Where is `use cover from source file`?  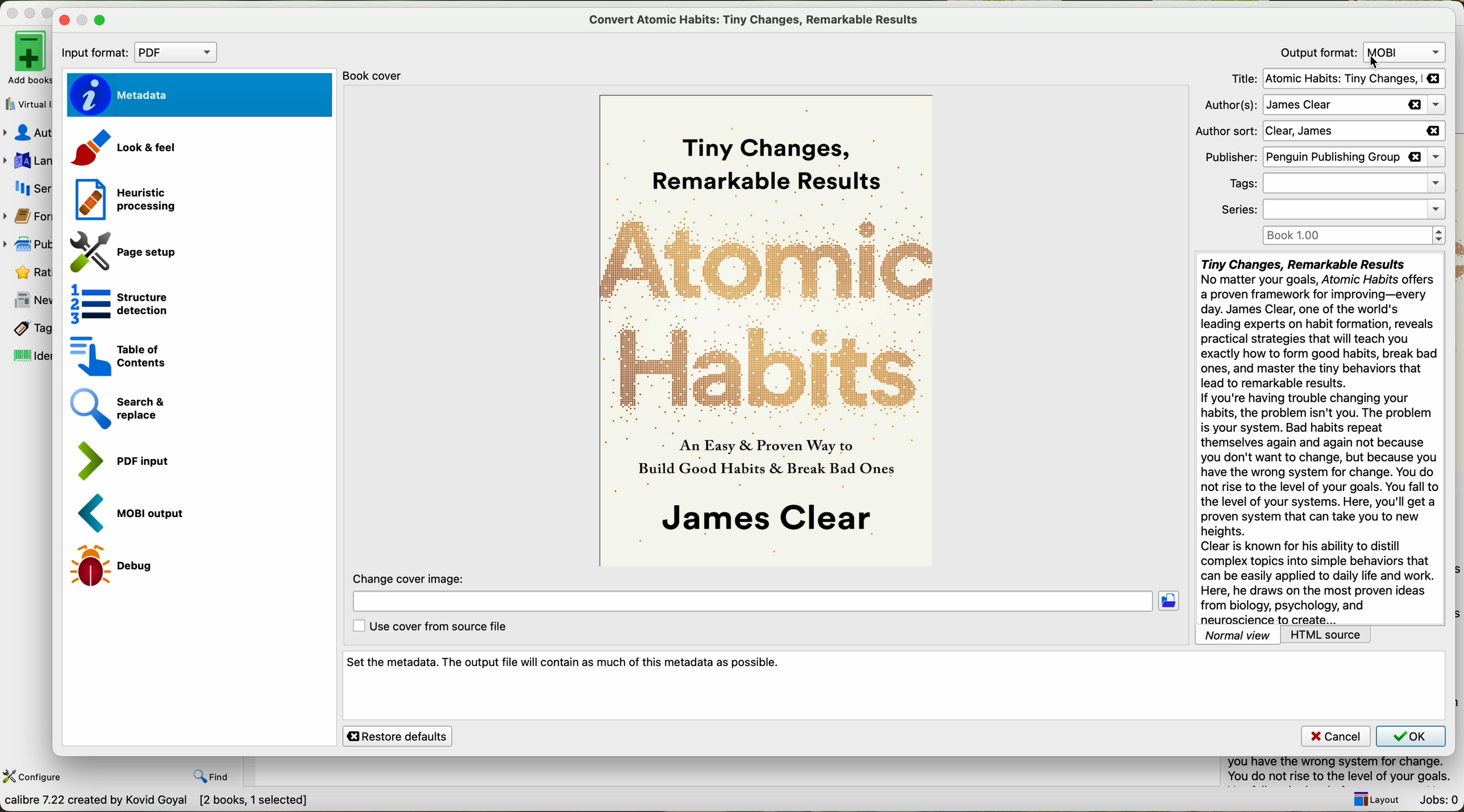
use cover from source file is located at coordinates (432, 627).